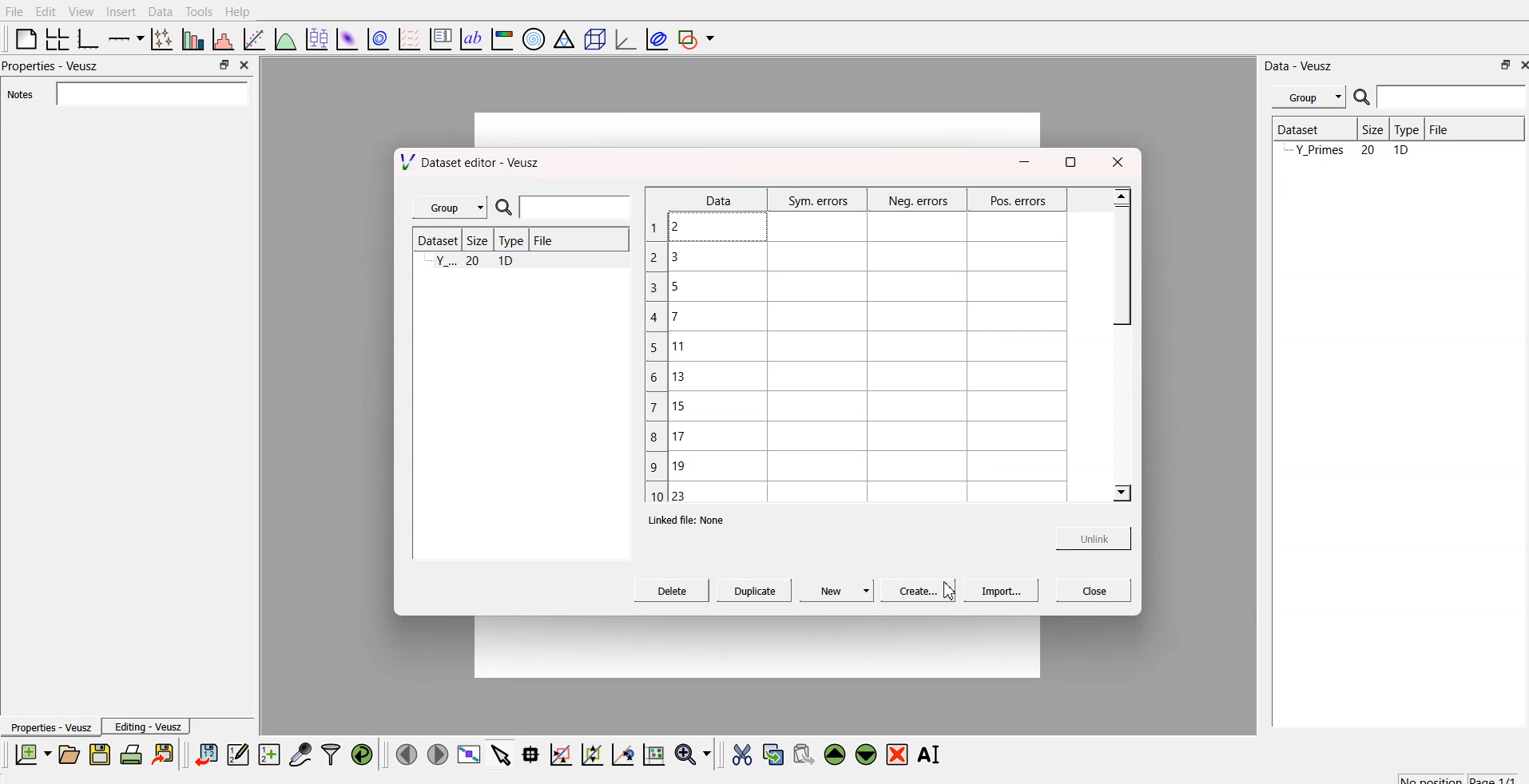 This screenshot has height=784, width=1529. Describe the element at coordinates (22, 38) in the screenshot. I see `blank page` at that location.